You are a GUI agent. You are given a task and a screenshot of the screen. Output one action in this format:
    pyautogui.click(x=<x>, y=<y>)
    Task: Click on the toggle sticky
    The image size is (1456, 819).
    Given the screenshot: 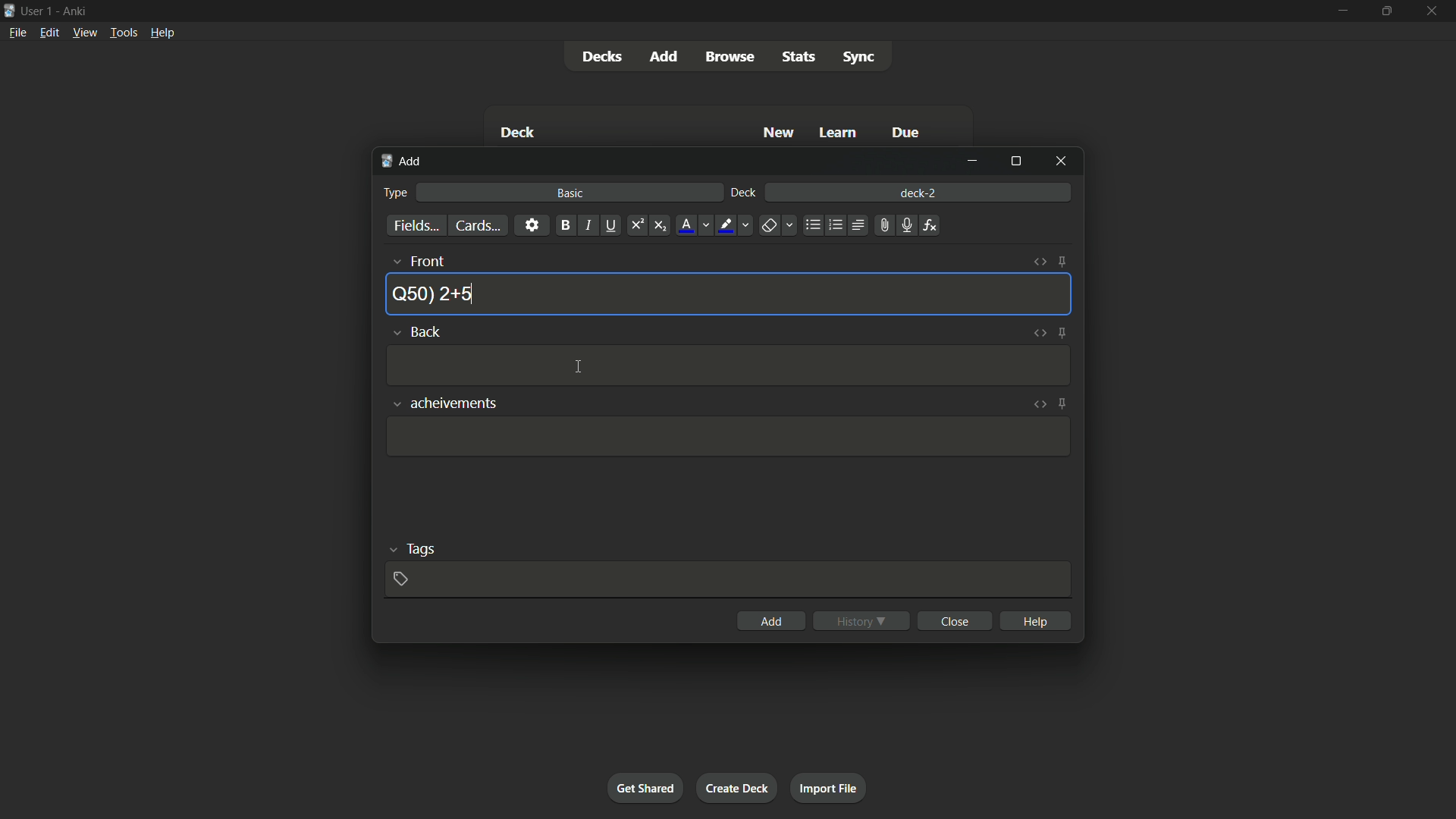 What is the action you would take?
    pyautogui.click(x=1060, y=333)
    